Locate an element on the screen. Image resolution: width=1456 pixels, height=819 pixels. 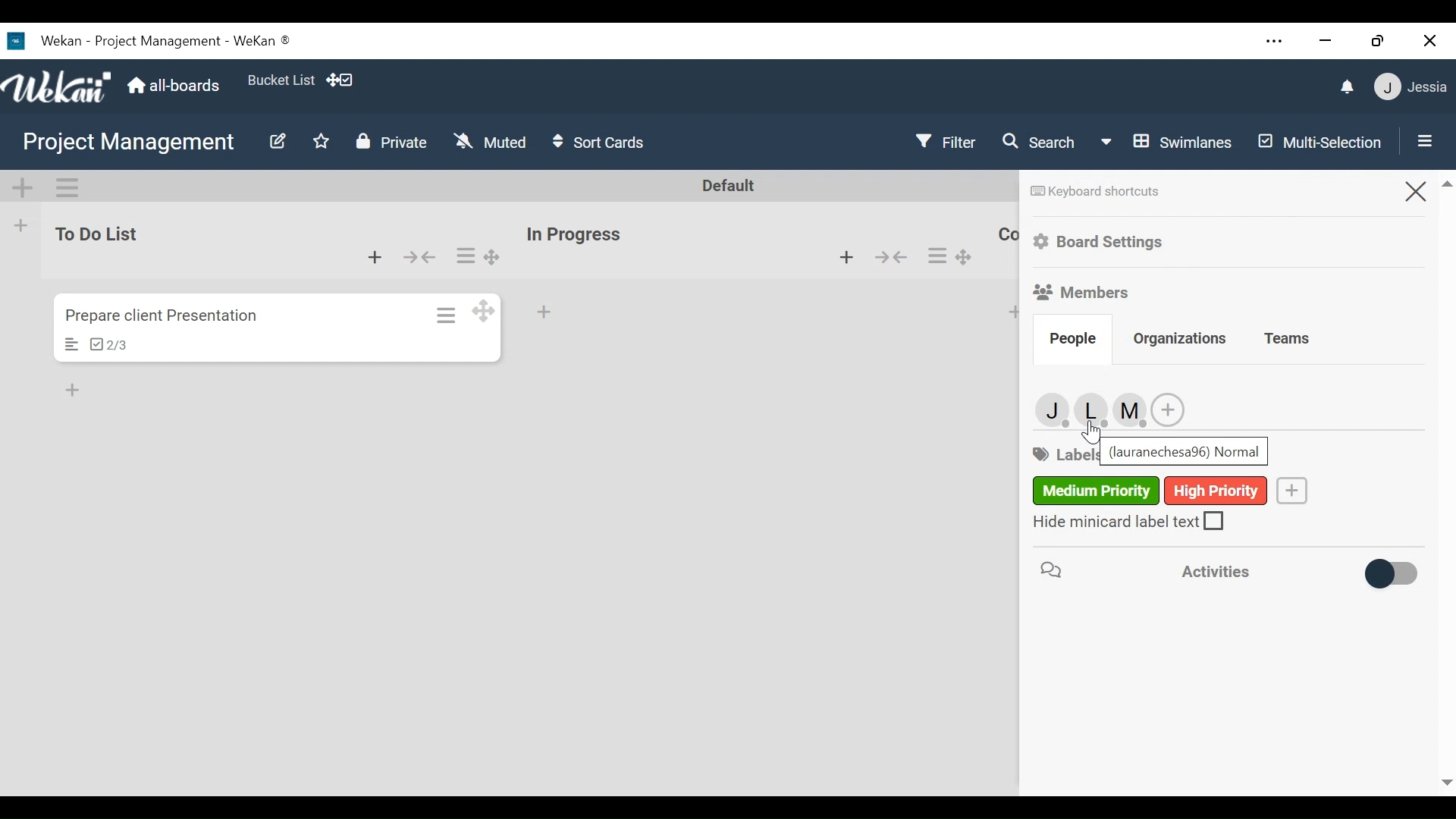
Collapse is located at coordinates (891, 256).